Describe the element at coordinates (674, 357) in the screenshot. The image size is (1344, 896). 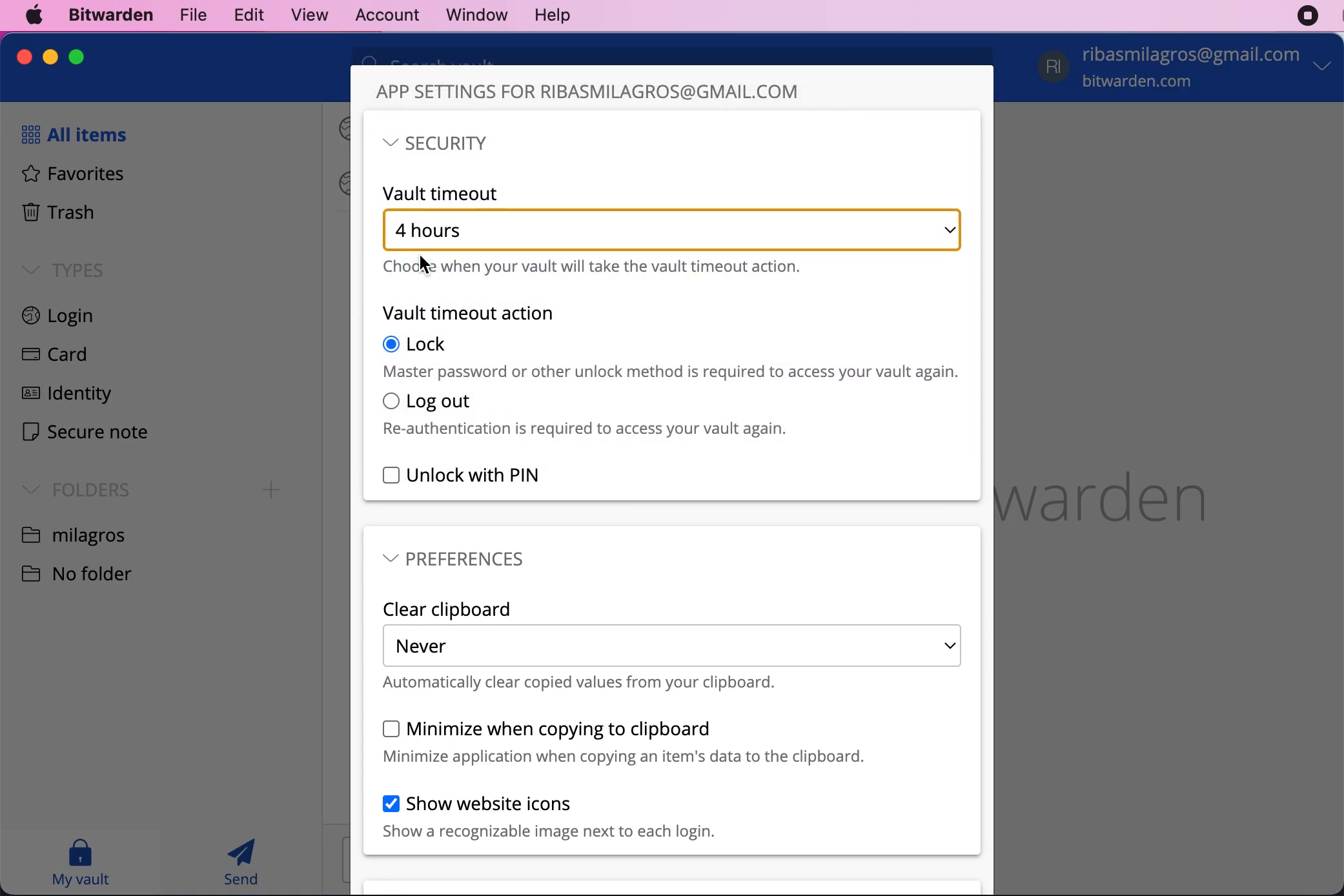
I see `lock` at that location.